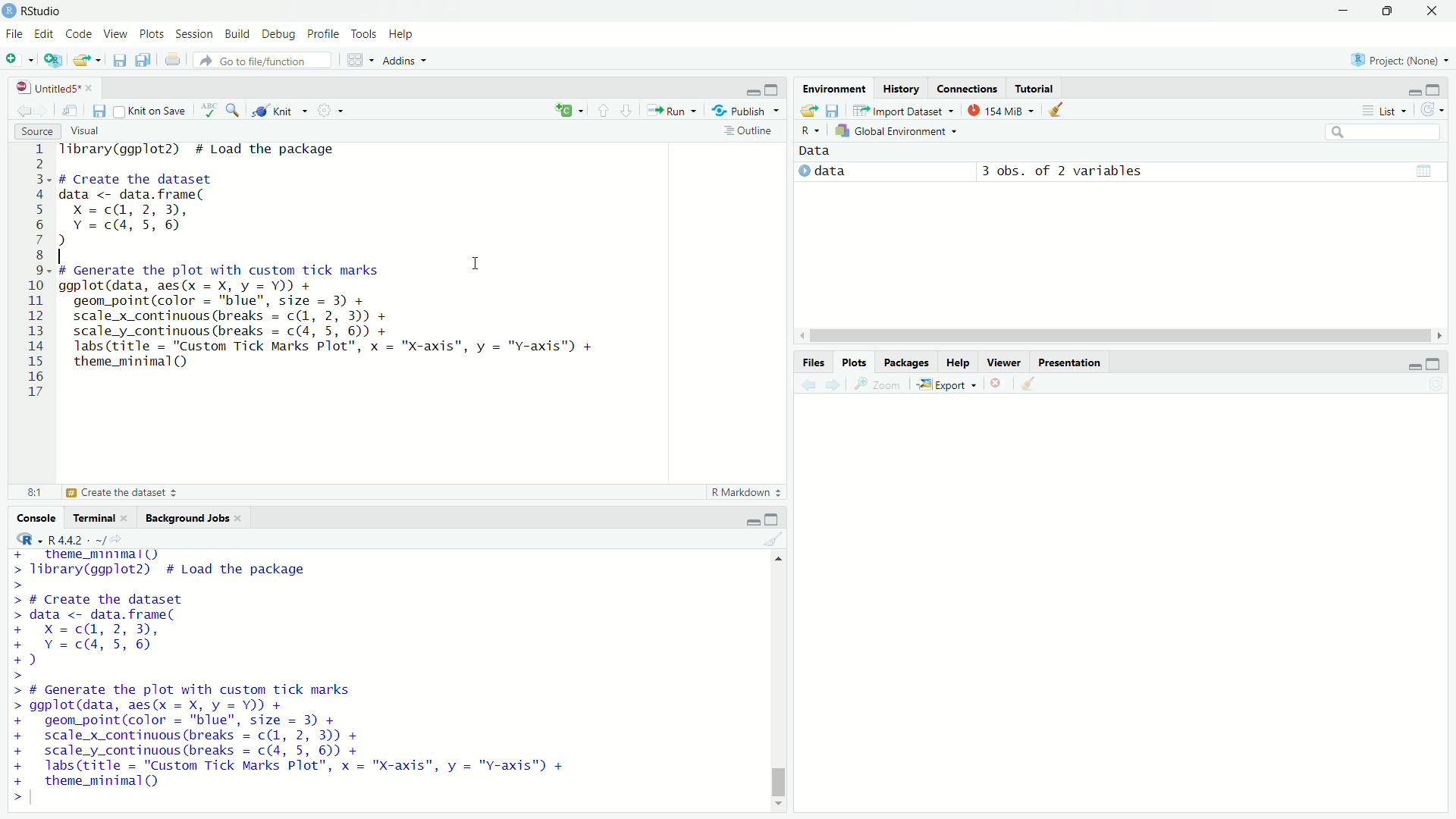 The image size is (1456, 819). I want to click on spell check, so click(212, 110).